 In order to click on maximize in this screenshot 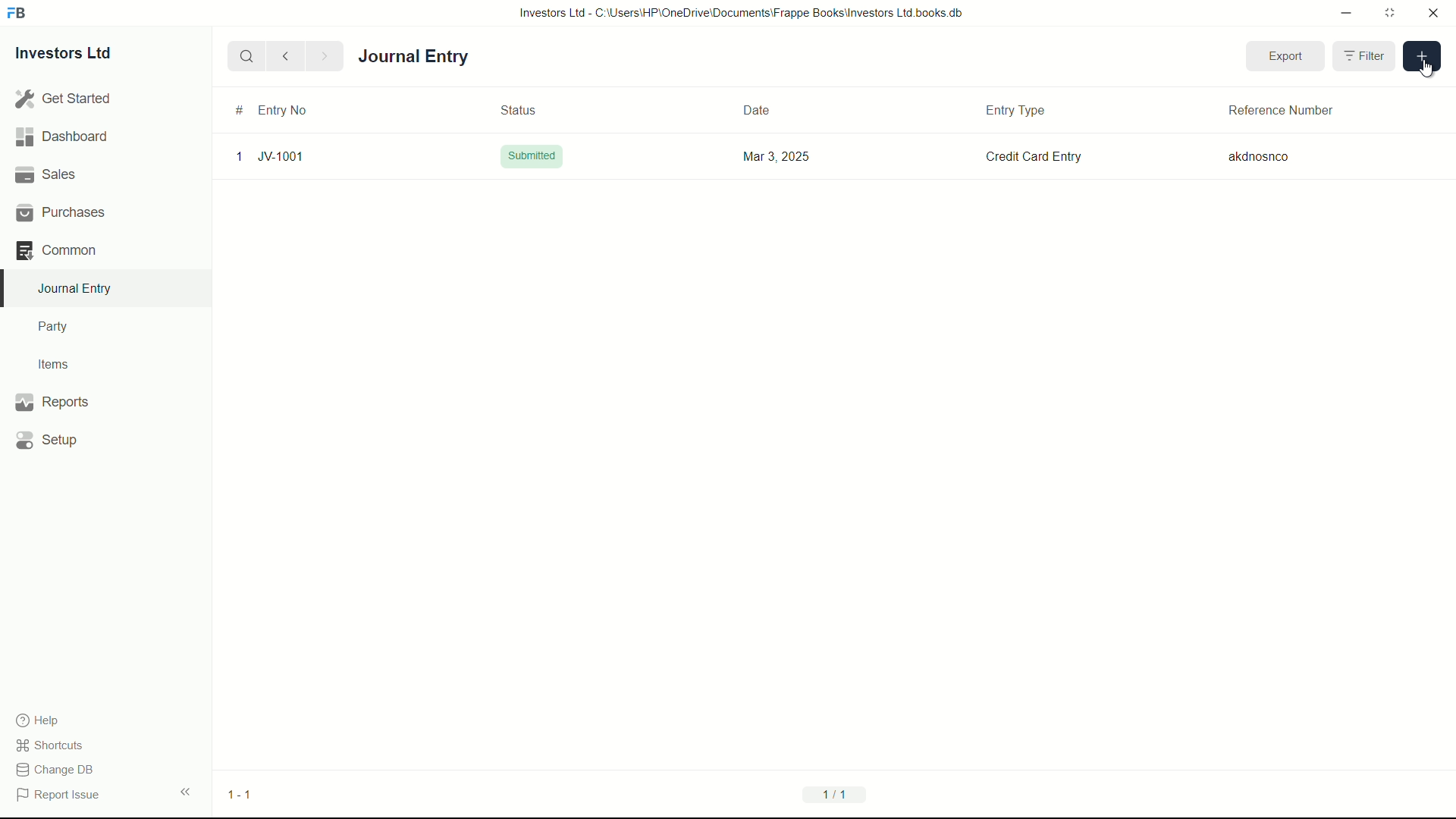, I will do `click(1389, 11)`.